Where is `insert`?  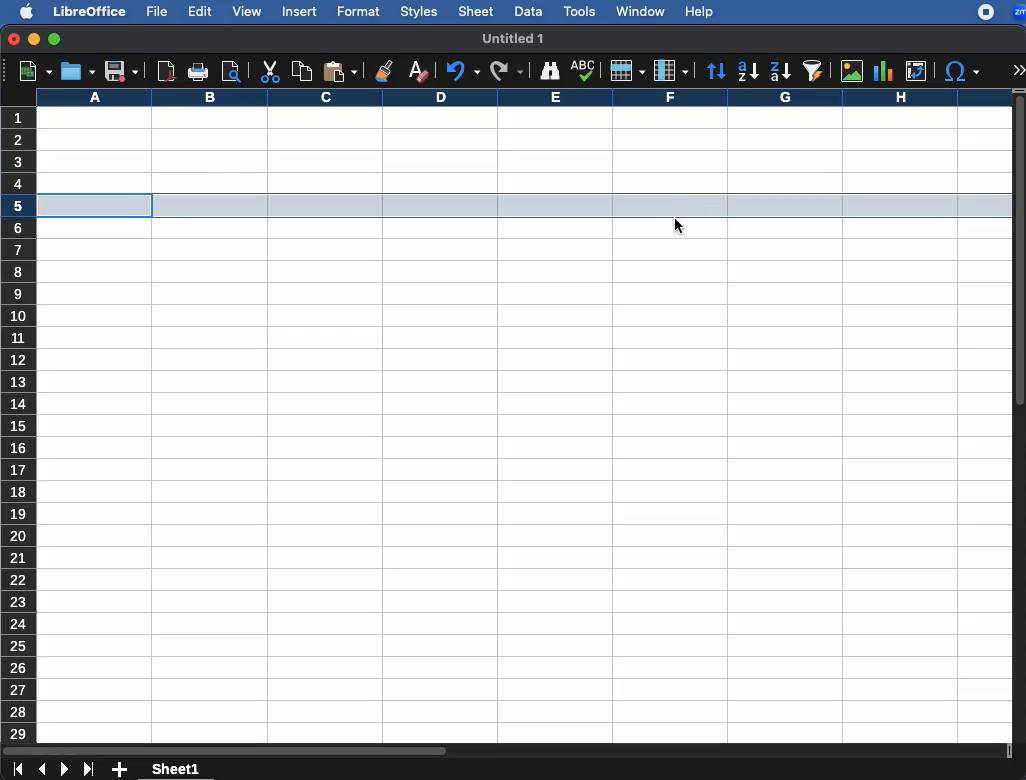 insert is located at coordinates (303, 12).